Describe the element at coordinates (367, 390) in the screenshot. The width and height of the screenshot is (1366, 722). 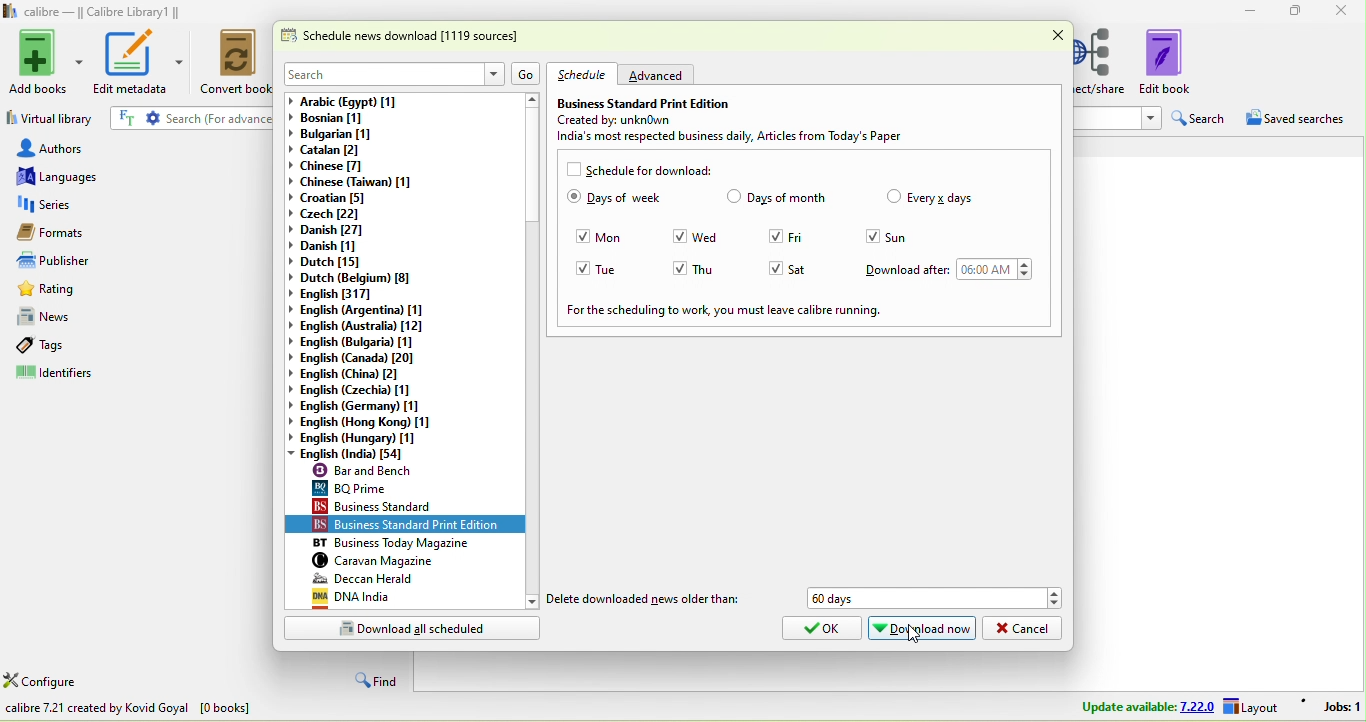
I see `english(czechia)[1]` at that location.